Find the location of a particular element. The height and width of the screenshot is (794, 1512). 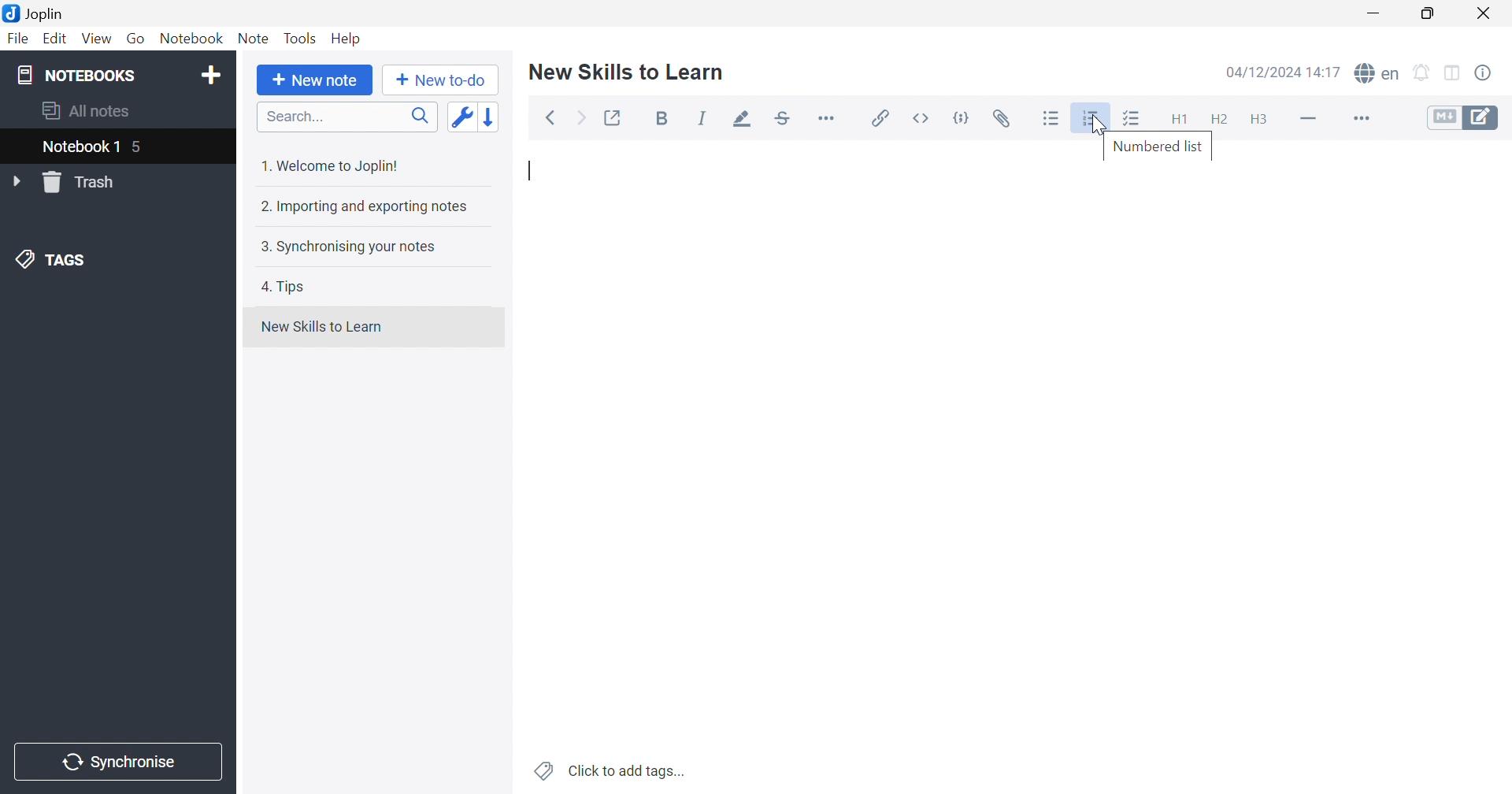

All notes is located at coordinates (87, 109).